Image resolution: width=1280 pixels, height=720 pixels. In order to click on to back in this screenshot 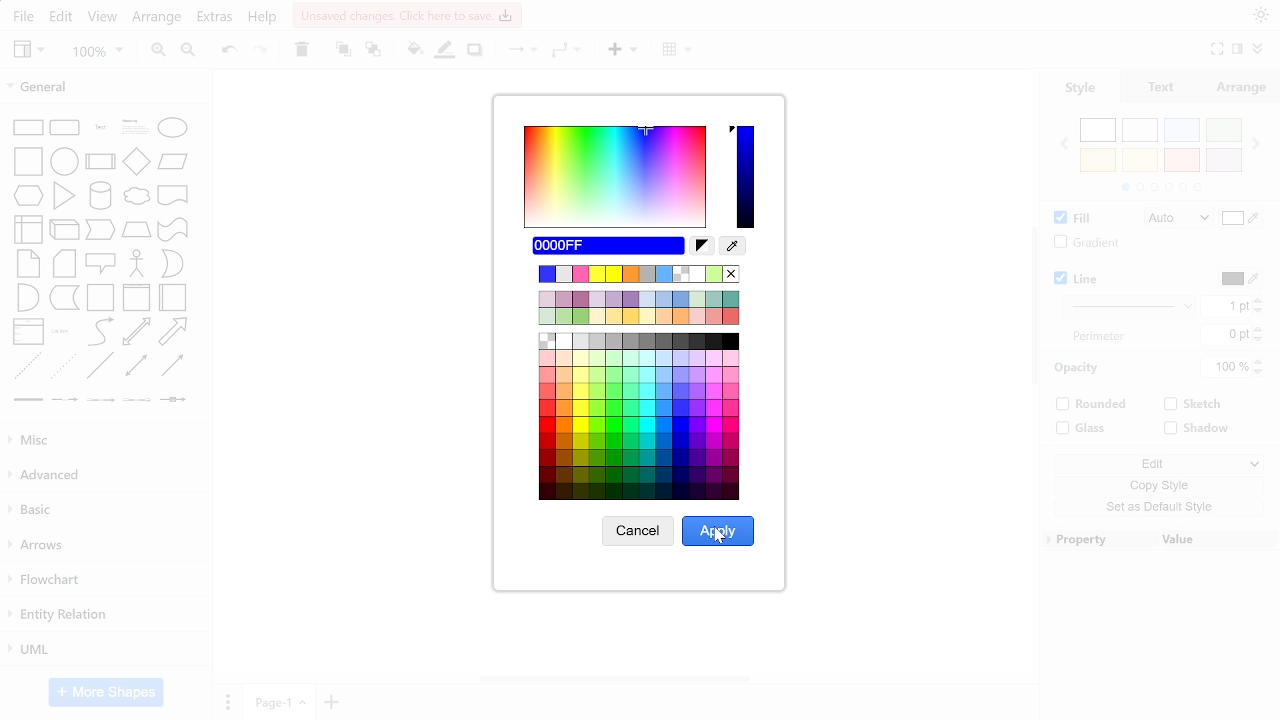, I will do `click(372, 51)`.